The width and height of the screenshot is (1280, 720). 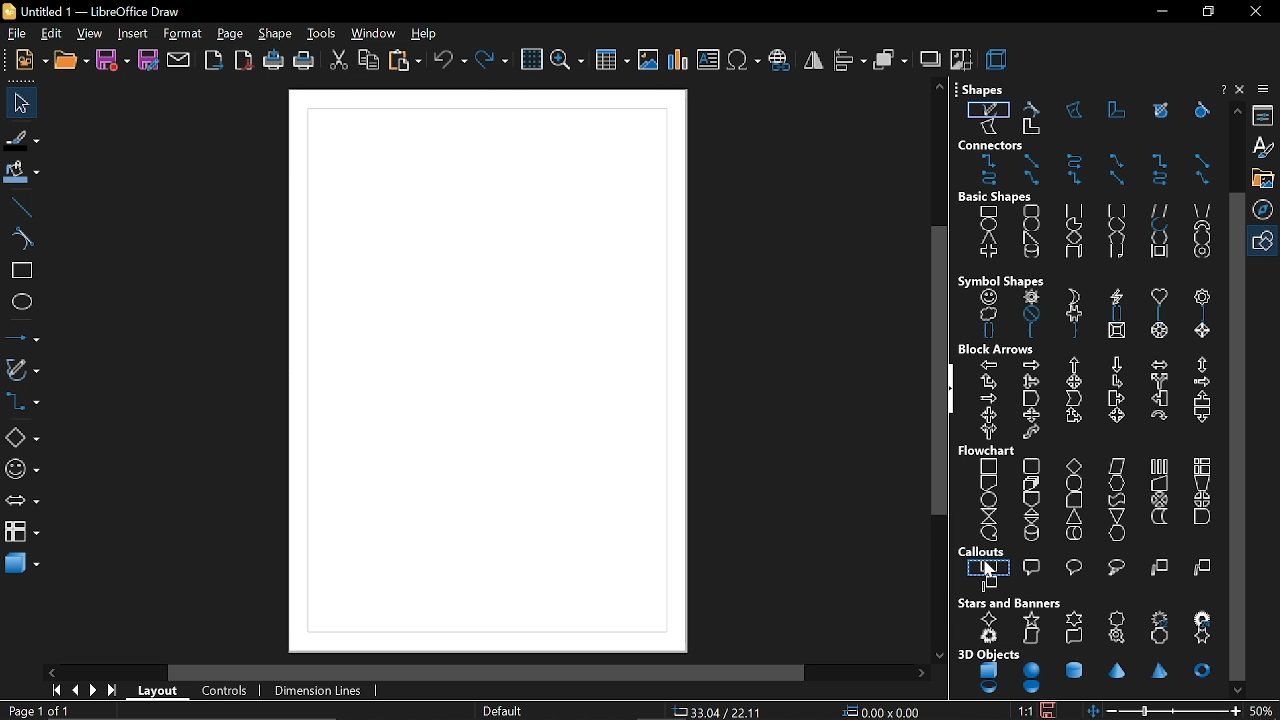 I want to click on next page, so click(x=91, y=692).